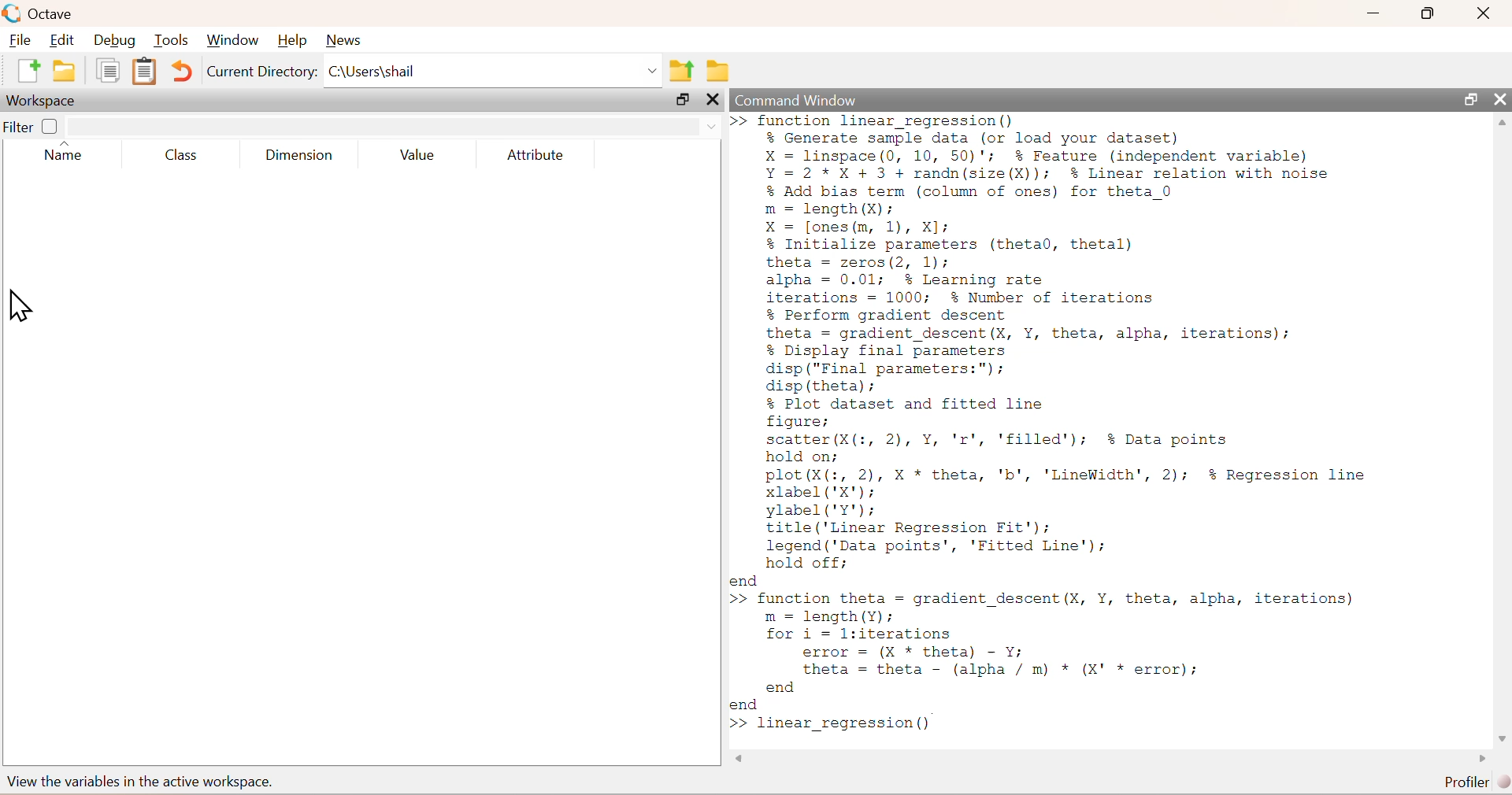 Image resolution: width=1512 pixels, height=795 pixels. Describe the element at coordinates (20, 40) in the screenshot. I see `File` at that location.